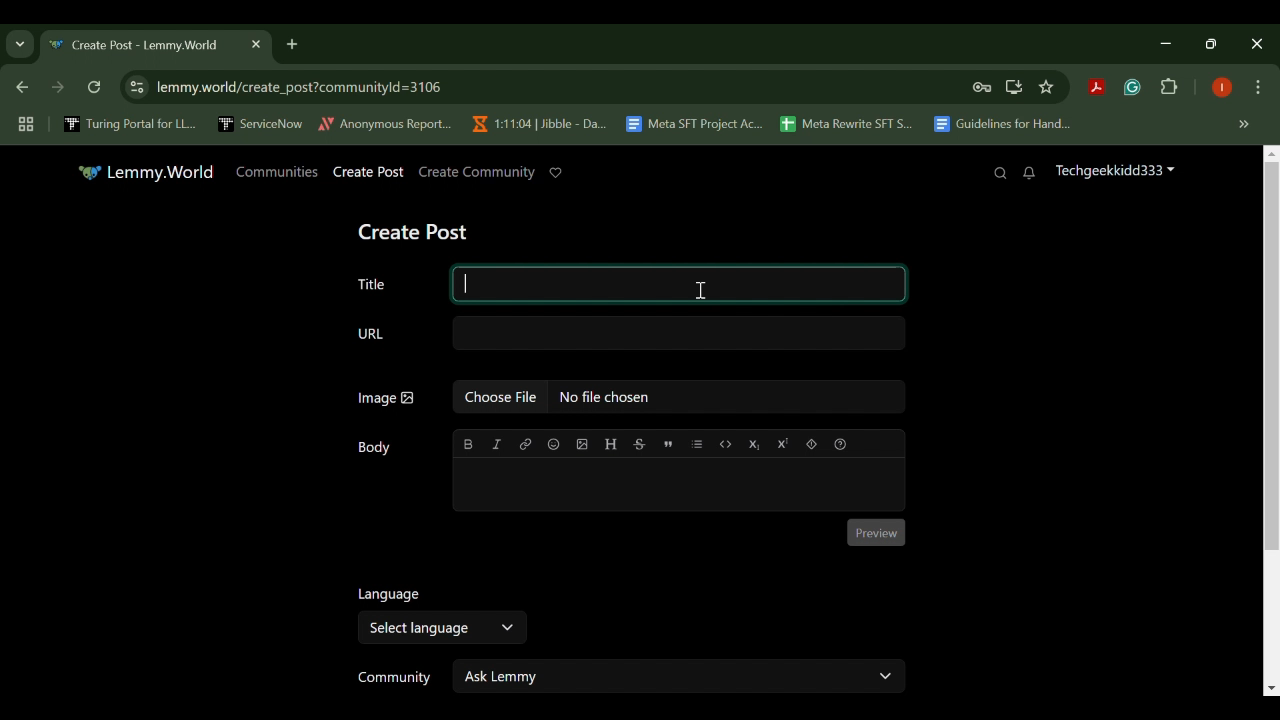 The height and width of the screenshot is (720, 1280). What do you see at coordinates (1222, 89) in the screenshot?
I see `Browser Profile ` at bounding box center [1222, 89].